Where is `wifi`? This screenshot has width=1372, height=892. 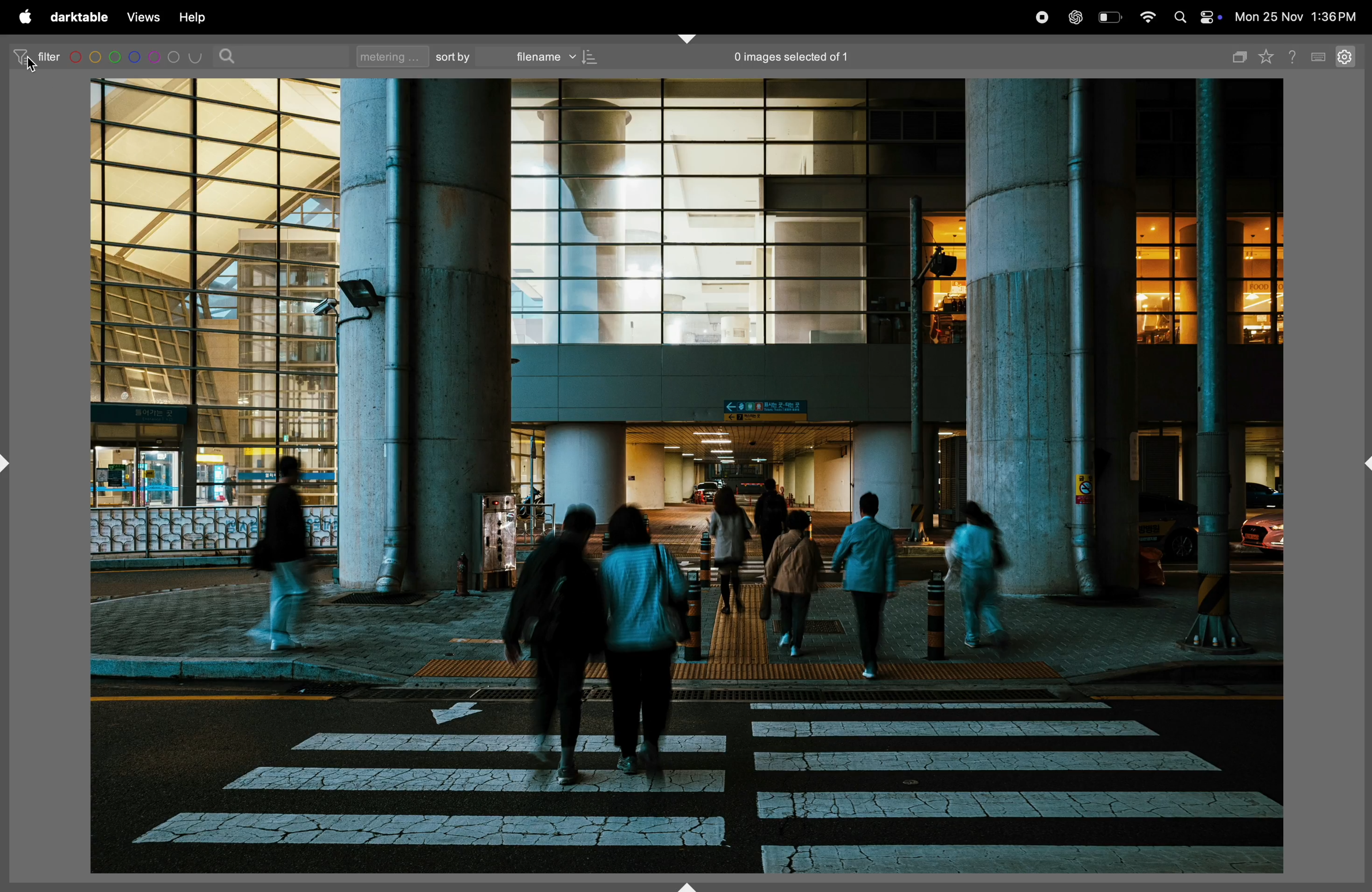 wifi is located at coordinates (1148, 17).